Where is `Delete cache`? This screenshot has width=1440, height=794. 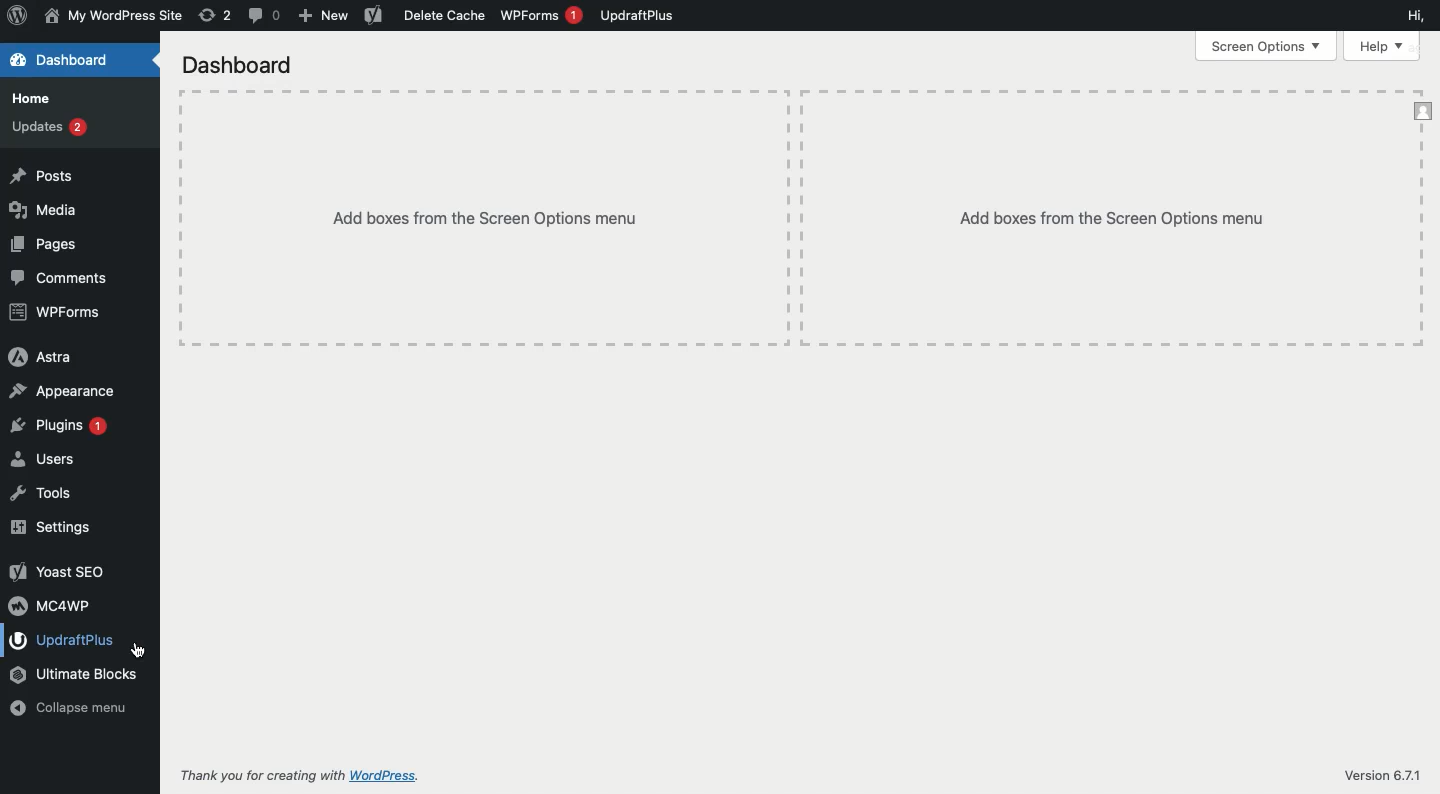 Delete cache is located at coordinates (445, 15).